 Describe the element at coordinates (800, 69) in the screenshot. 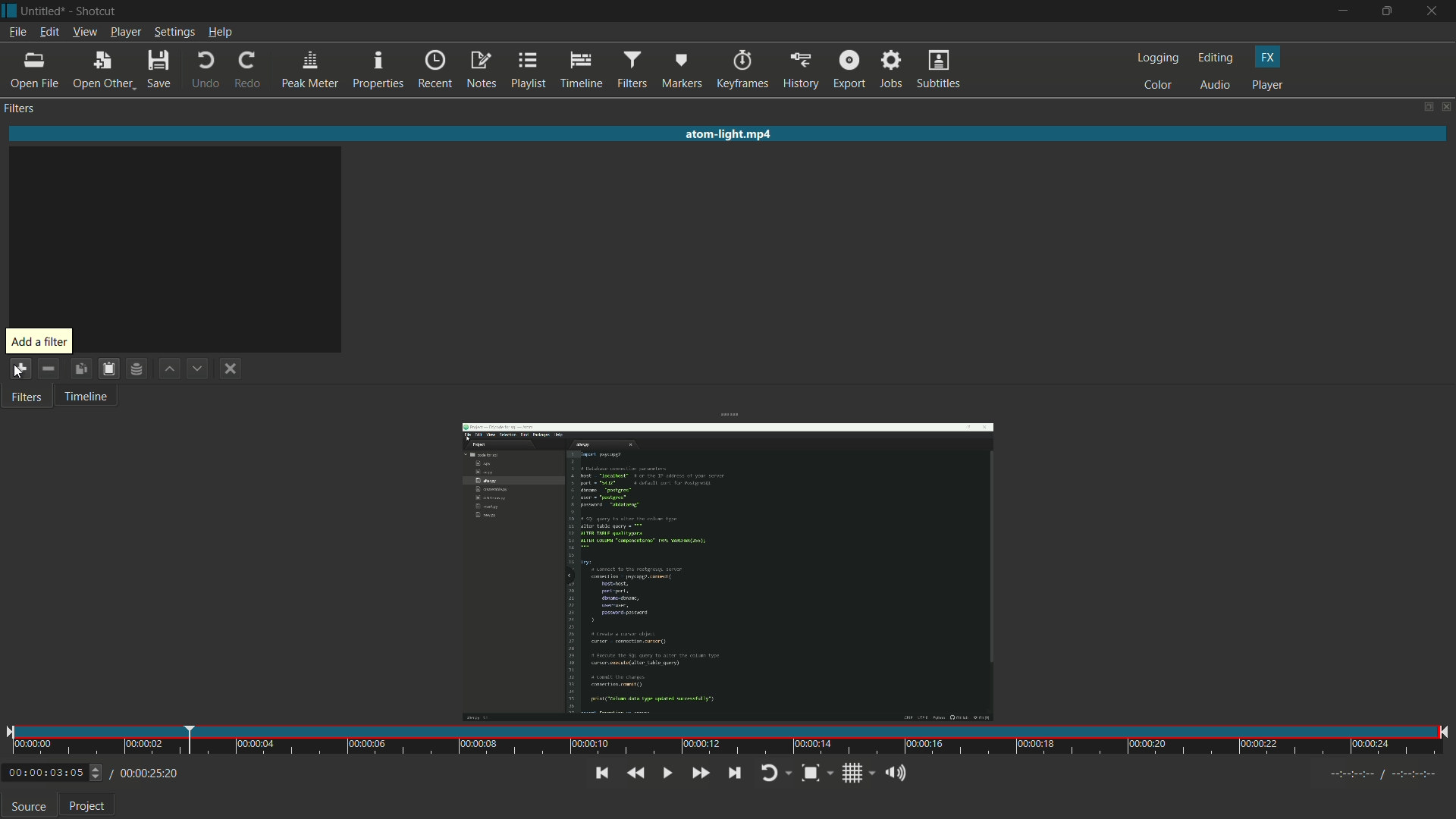

I see `history` at that location.